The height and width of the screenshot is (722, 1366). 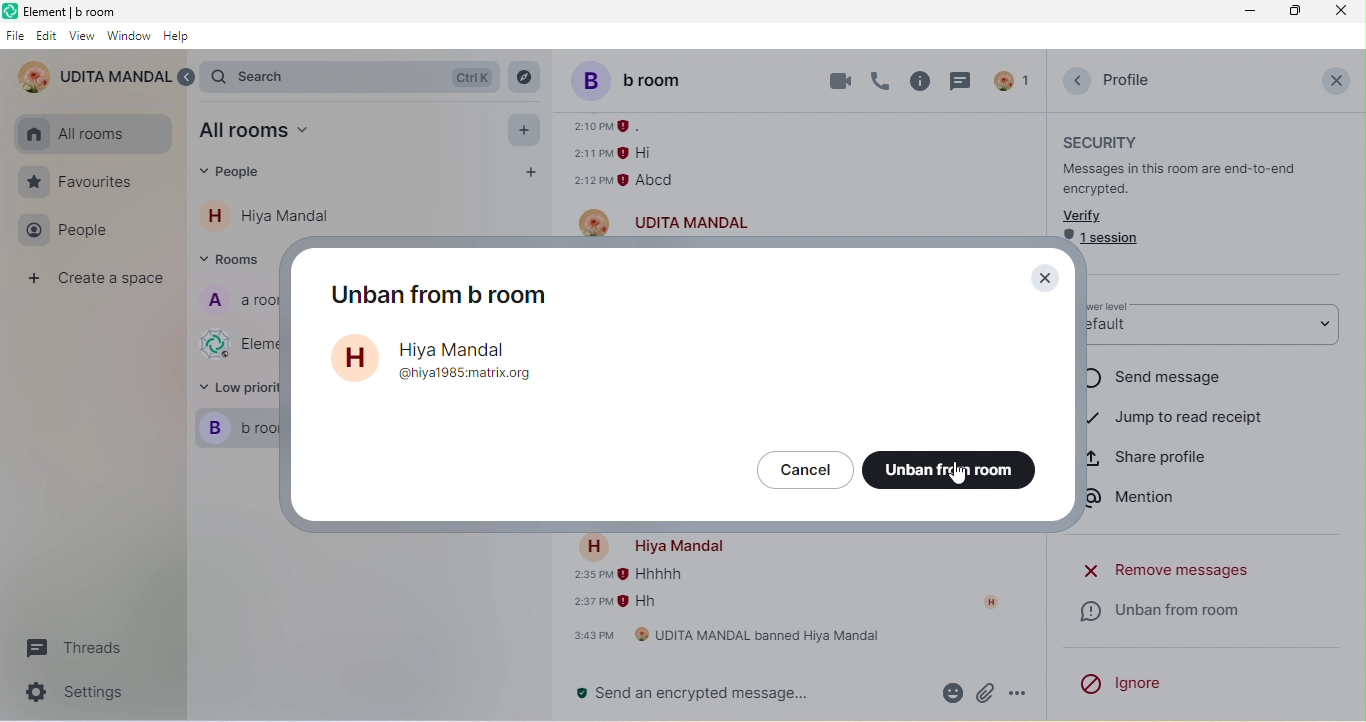 What do you see at coordinates (76, 134) in the screenshot?
I see `all rooms` at bounding box center [76, 134].